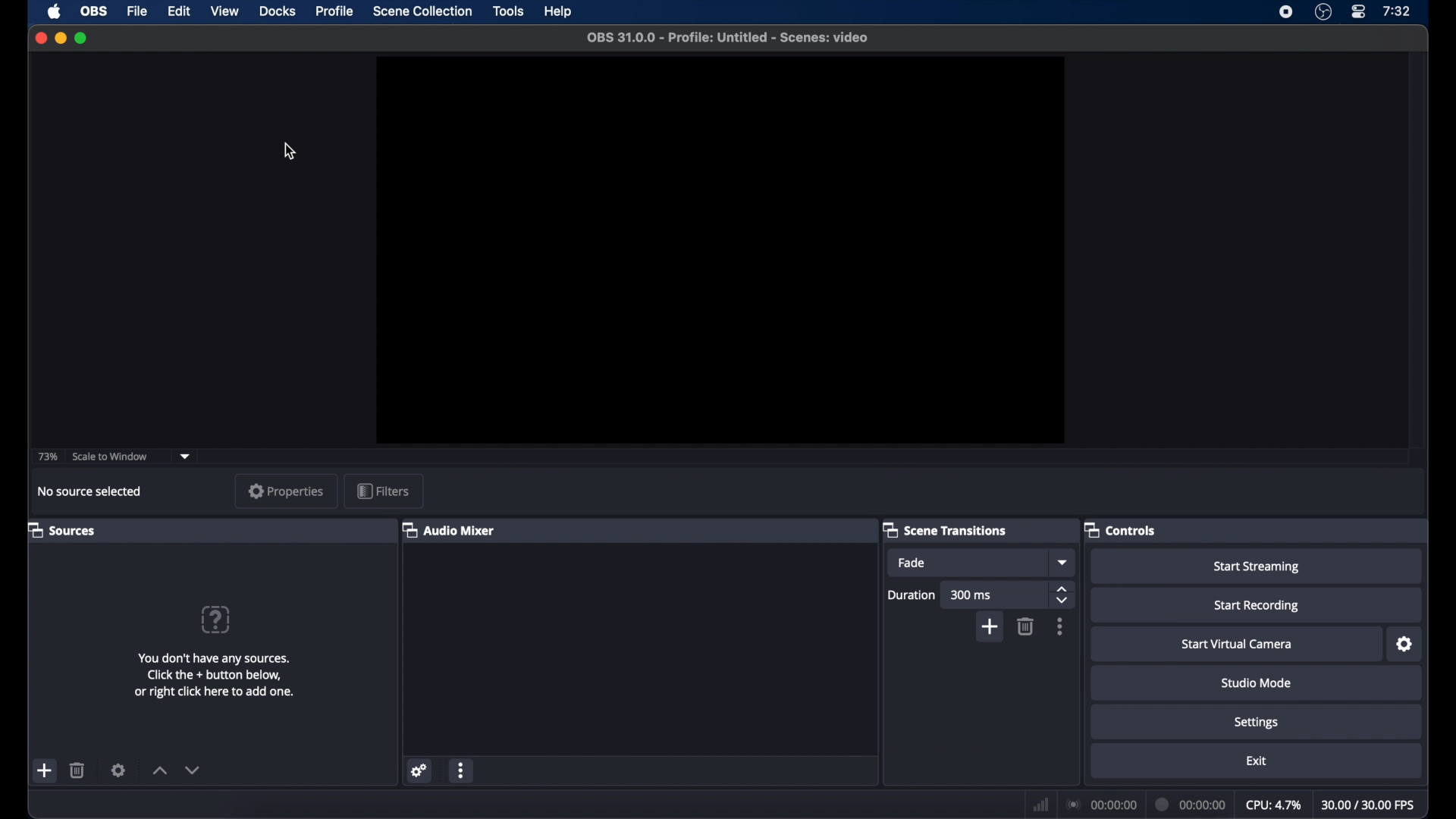 The height and width of the screenshot is (819, 1456). What do you see at coordinates (1025, 626) in the screenshot?
I see `delete` at bounding box center [1025, 626].